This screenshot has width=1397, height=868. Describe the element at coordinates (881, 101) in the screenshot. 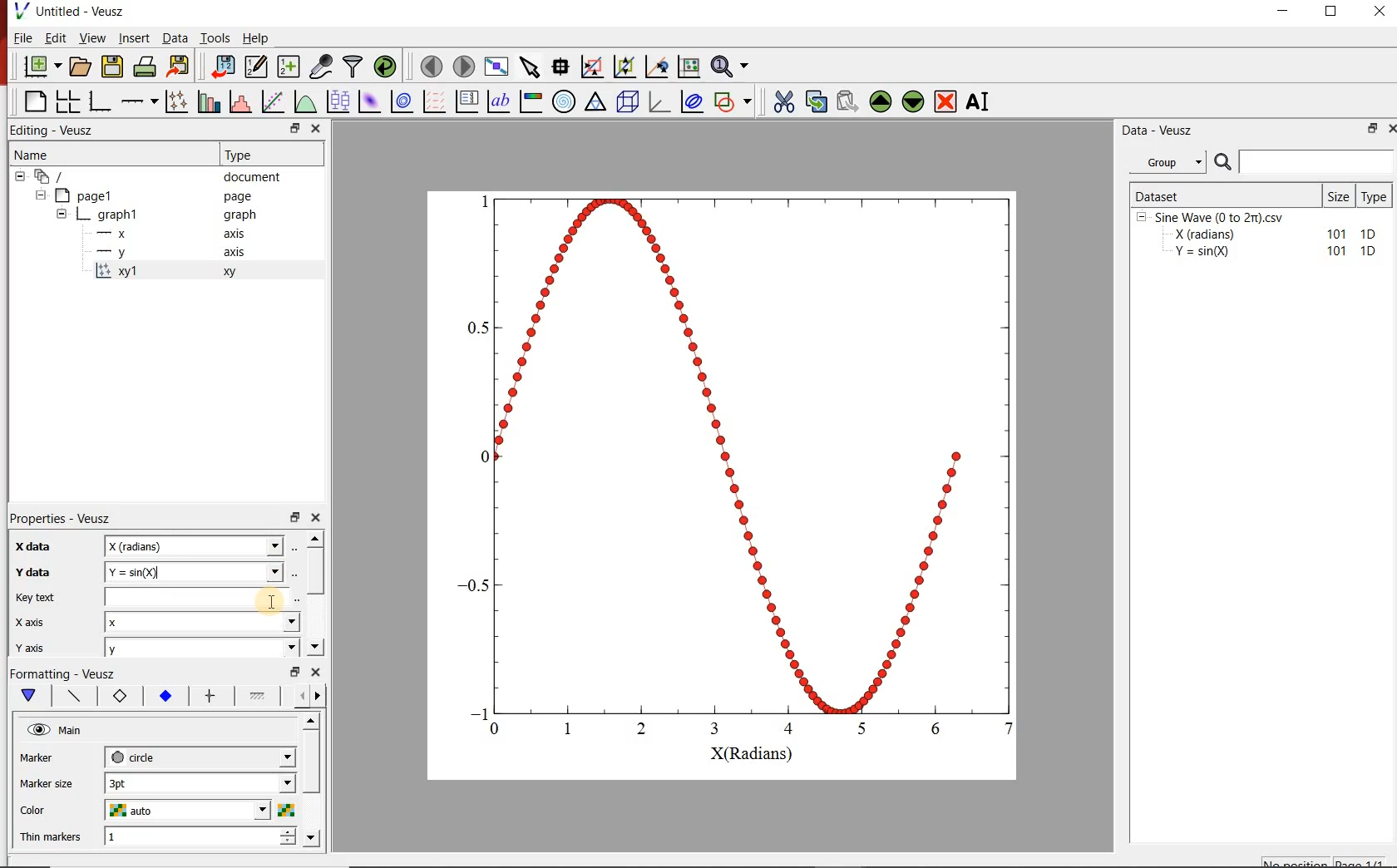

I see `move up` at that location.